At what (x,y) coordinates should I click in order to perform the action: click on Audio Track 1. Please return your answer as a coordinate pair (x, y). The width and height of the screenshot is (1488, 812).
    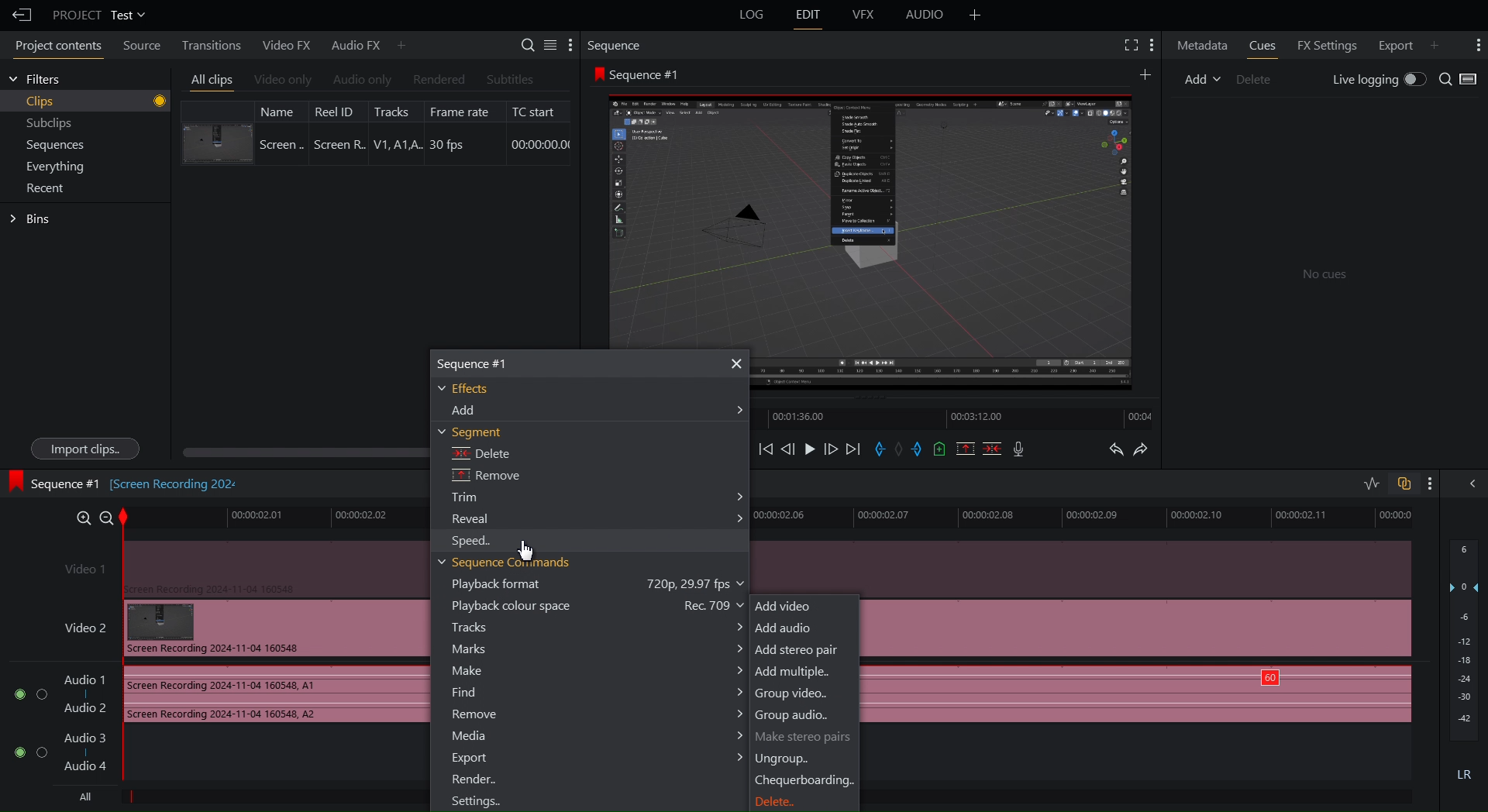
    Looking at the image, I should click on (217, 696).